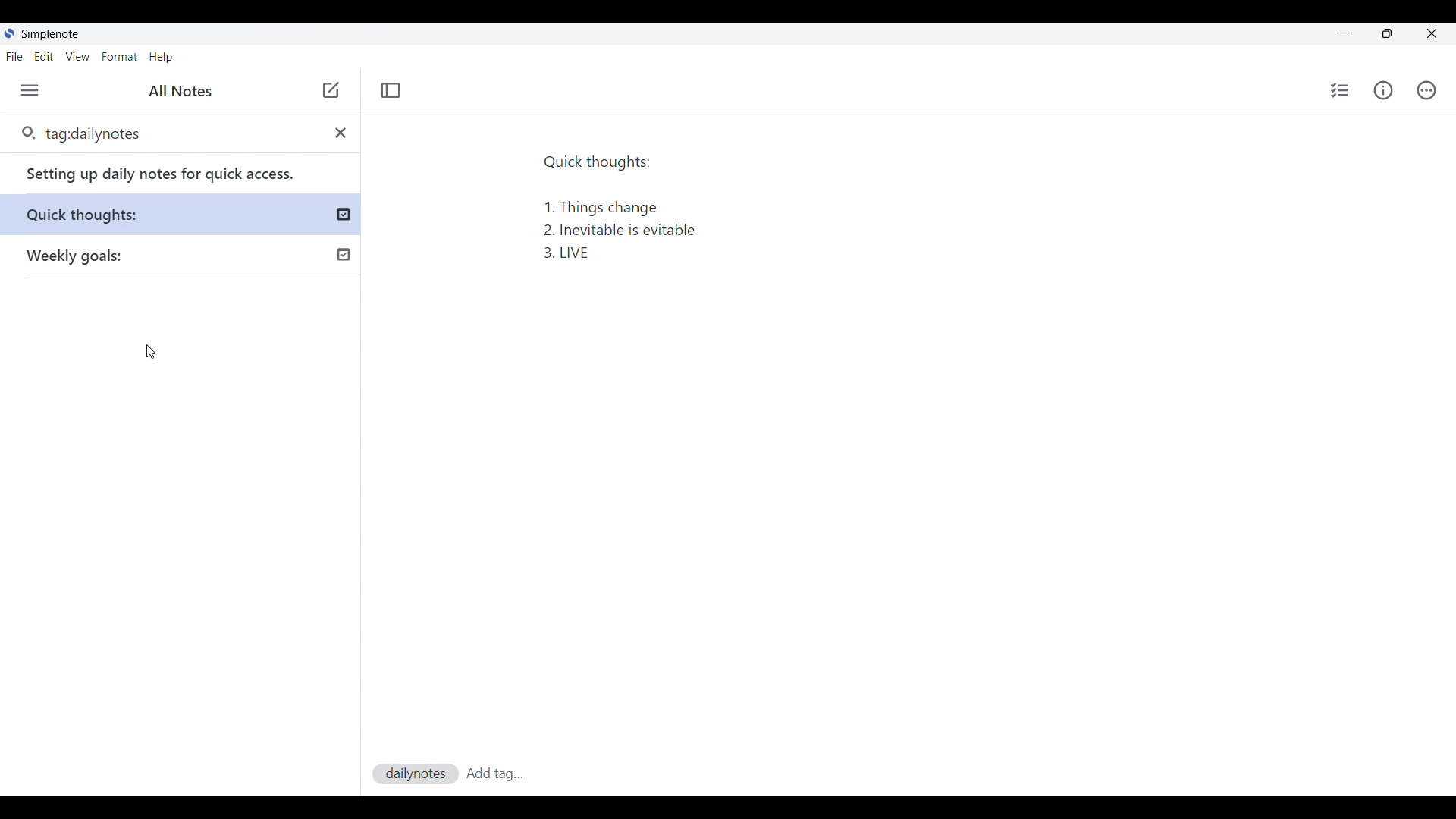  Describe the element at coordinates (331, 91) in the screenshot. I see `Cursor position unchanged` at that location.